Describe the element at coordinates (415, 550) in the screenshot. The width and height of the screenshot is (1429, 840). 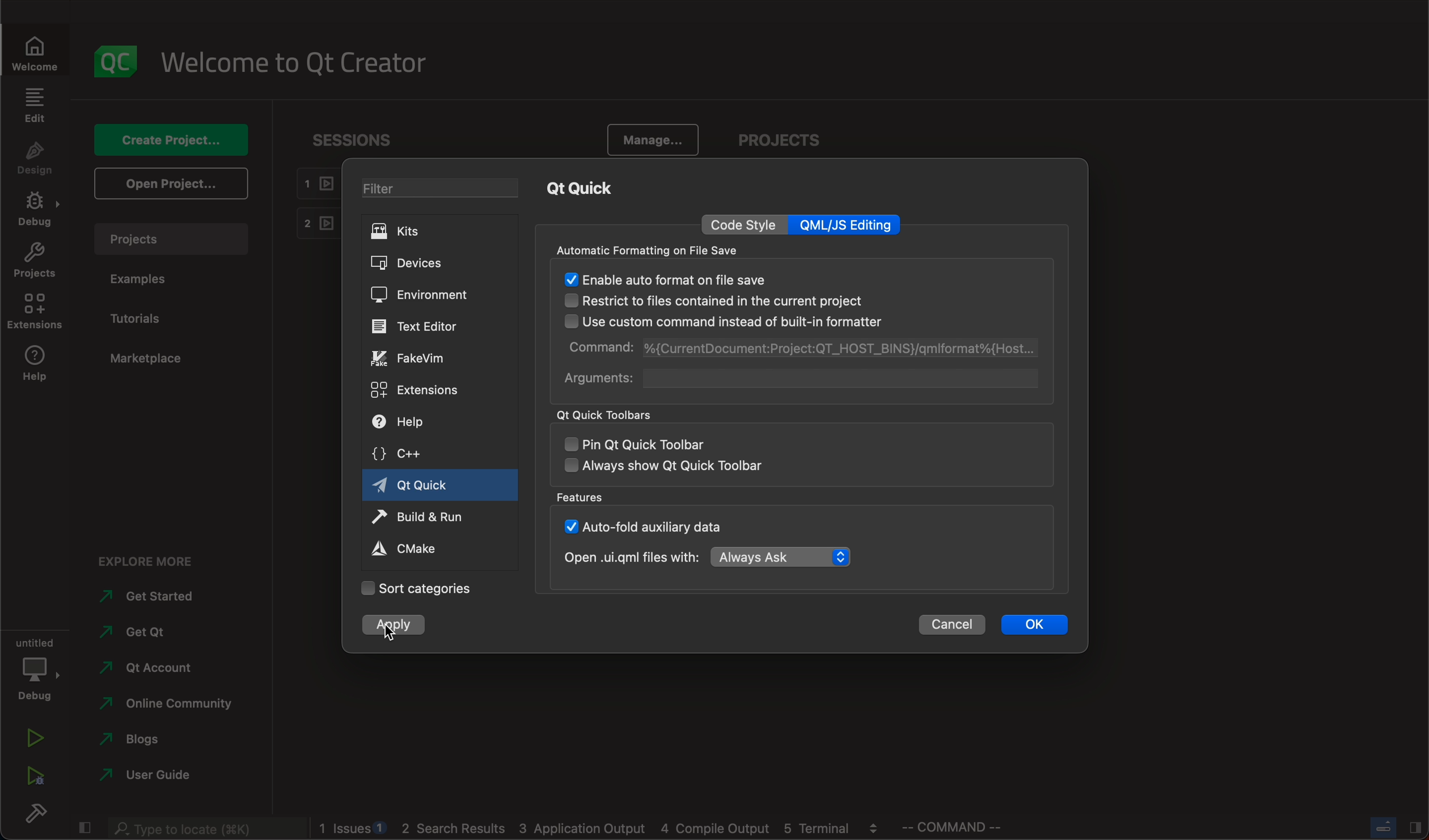
I see `cmake` at that location.